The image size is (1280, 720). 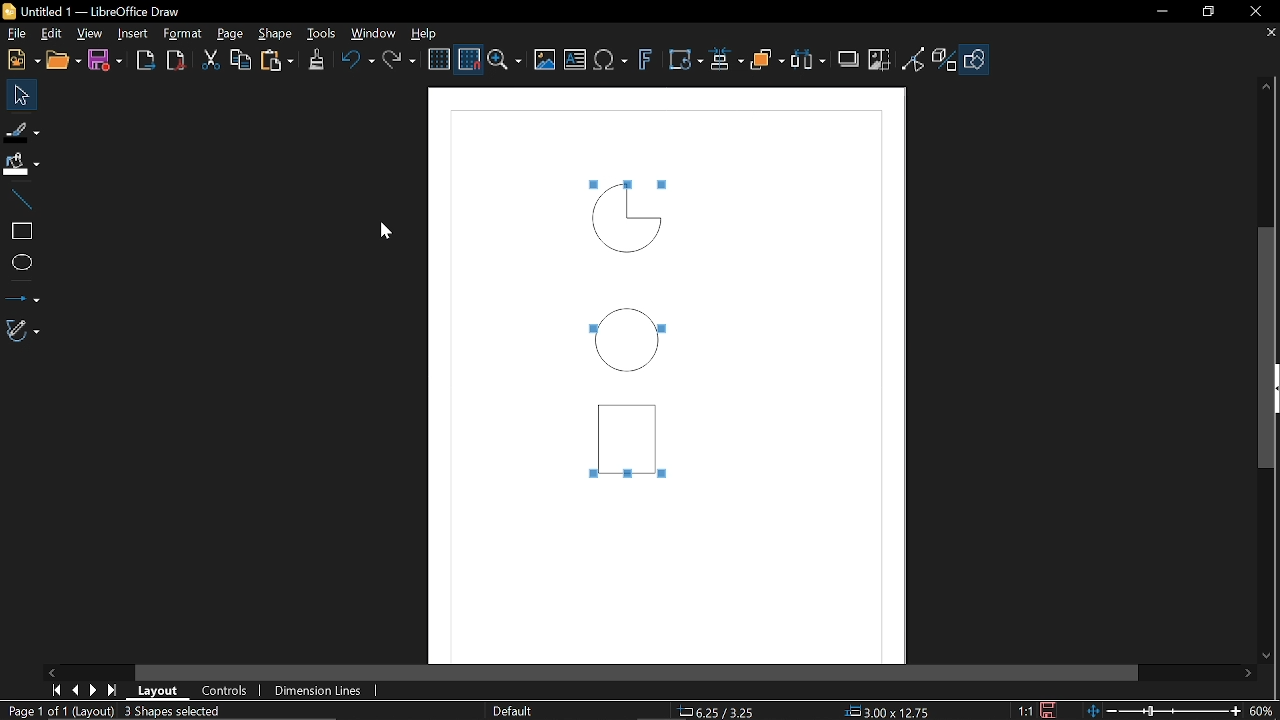 What do you see at coordinates (506, 60) in the screenshot?
I see `Zoom` at bounding box center [506, 60].